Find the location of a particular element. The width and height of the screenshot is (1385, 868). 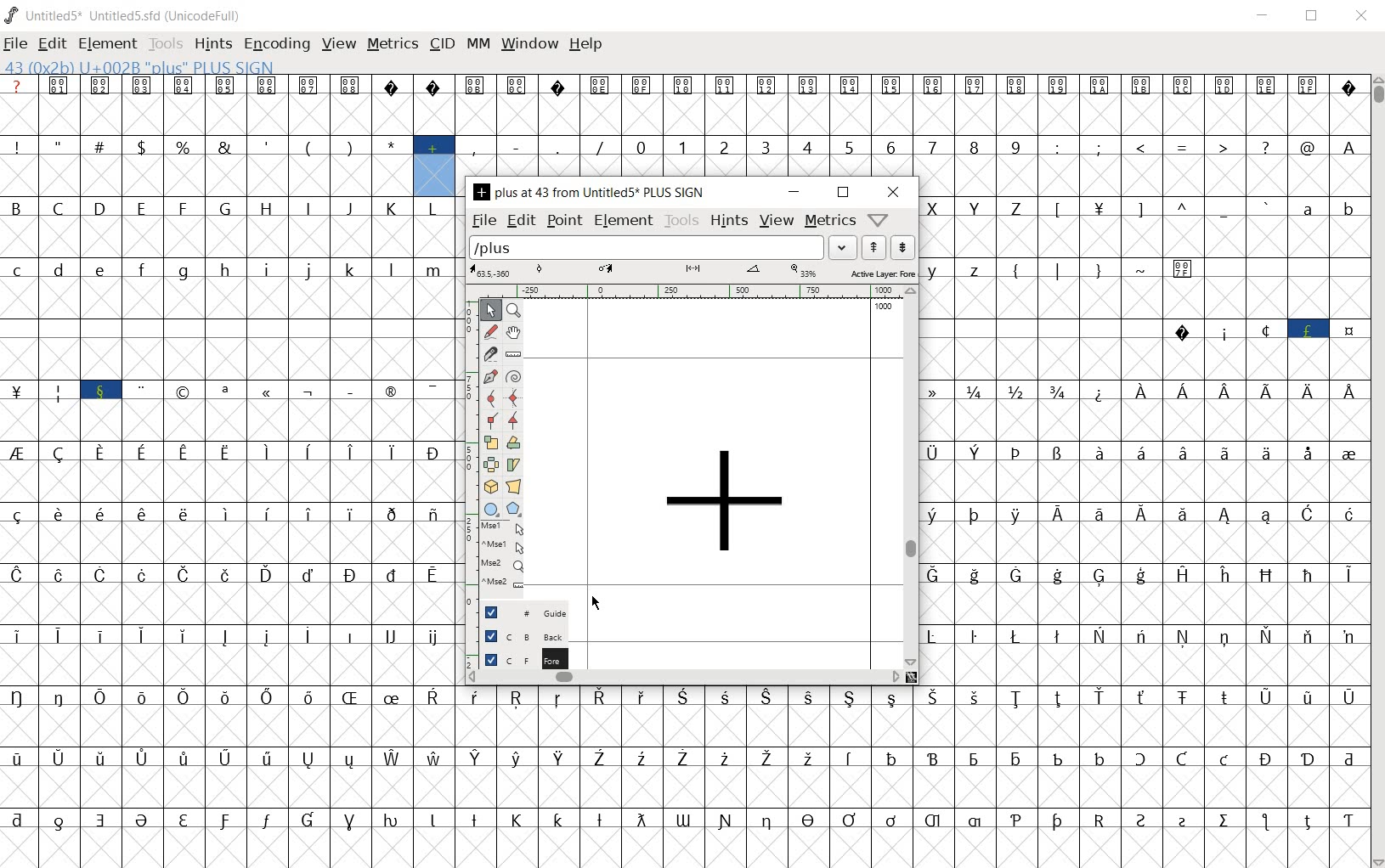

restore is located at coordinates (845, 194).